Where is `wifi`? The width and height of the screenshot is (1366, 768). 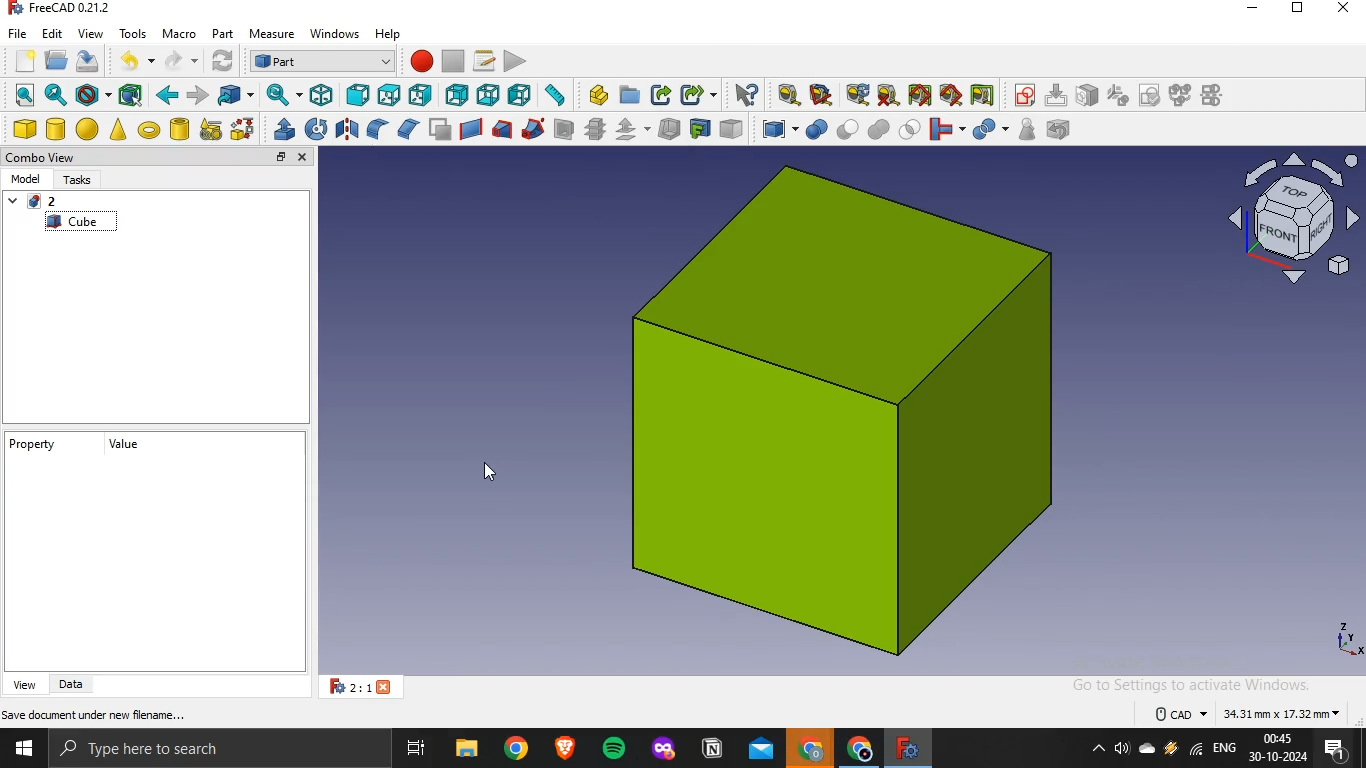
wifi is located at coordinates (1197, 749).